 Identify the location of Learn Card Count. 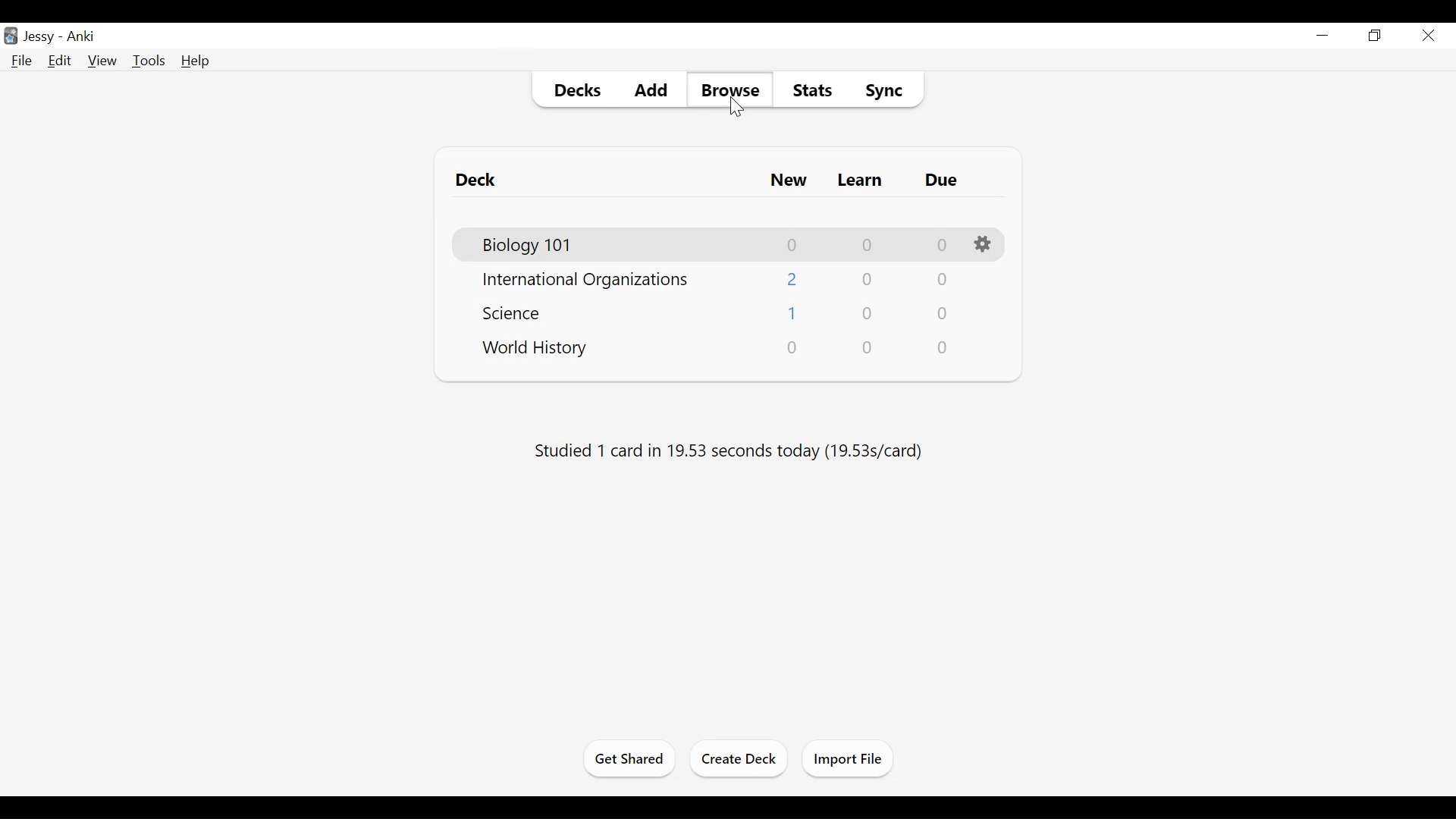
(866, 347).